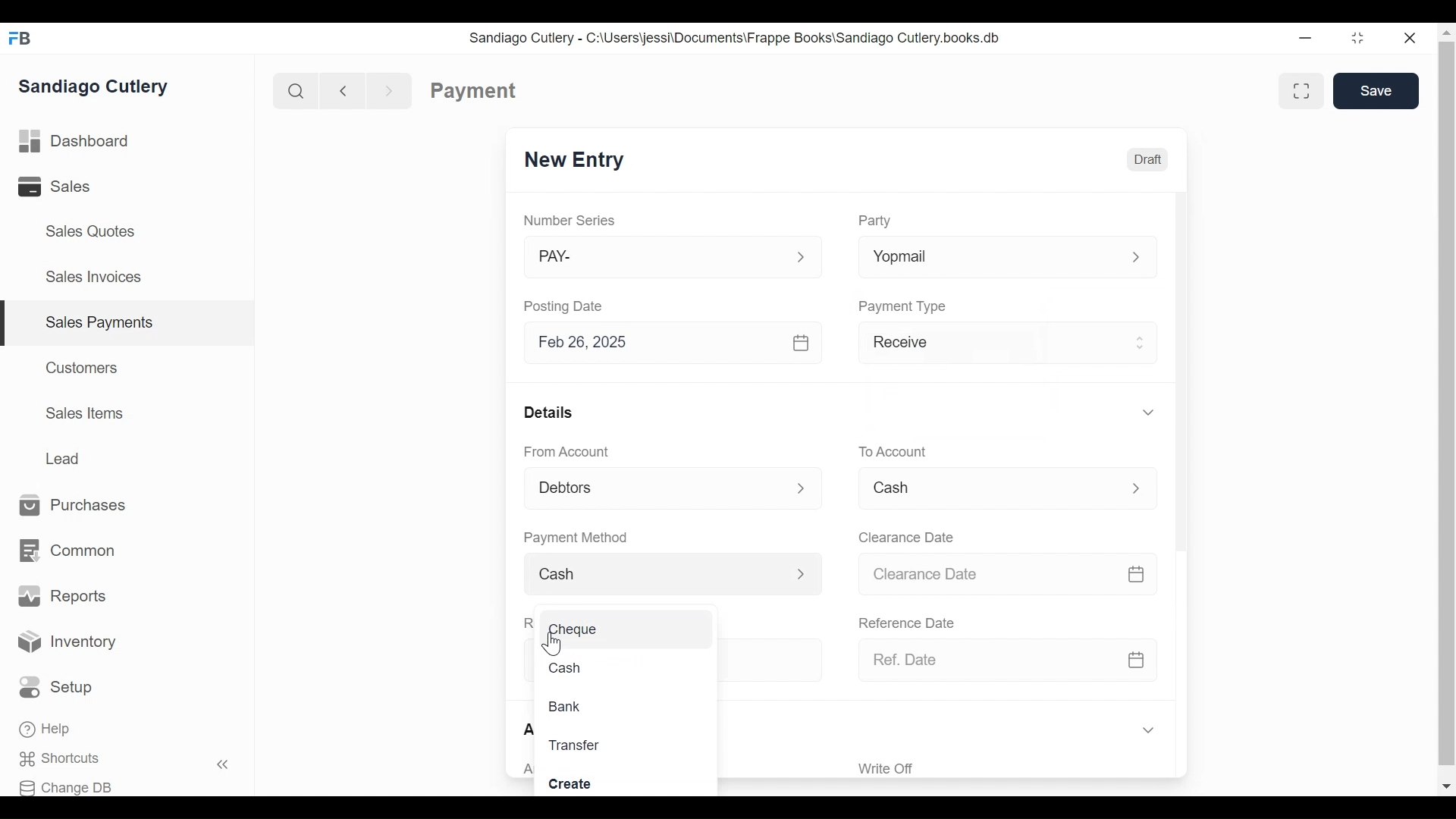 The height and width of the screenshot is (819, 1456). Describe the element at coordinates (1136, 256) in the screenshot. I see `Expand` at that location.